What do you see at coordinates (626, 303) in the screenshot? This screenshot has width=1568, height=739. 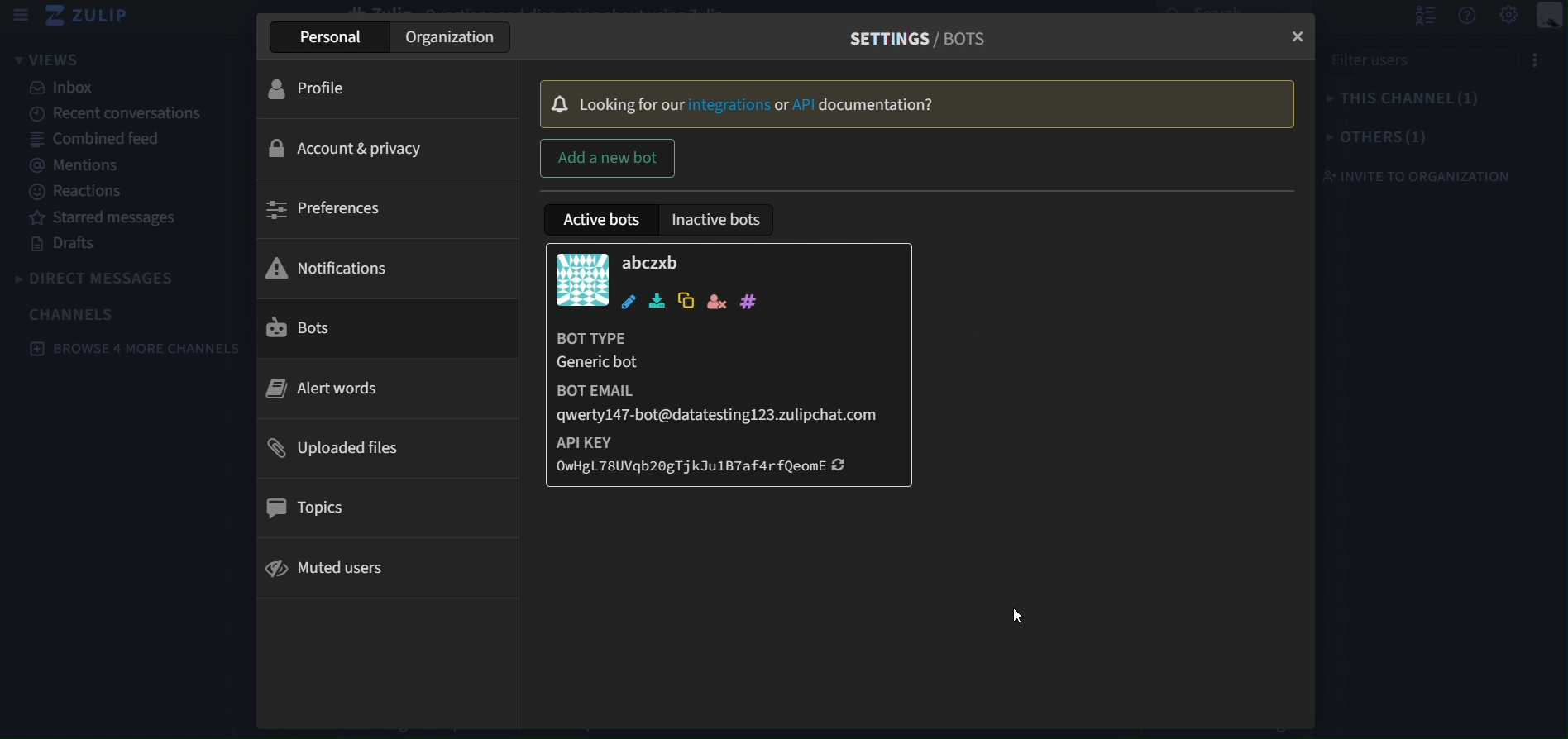 I see `edit bot` at bounding box center [626, 303].